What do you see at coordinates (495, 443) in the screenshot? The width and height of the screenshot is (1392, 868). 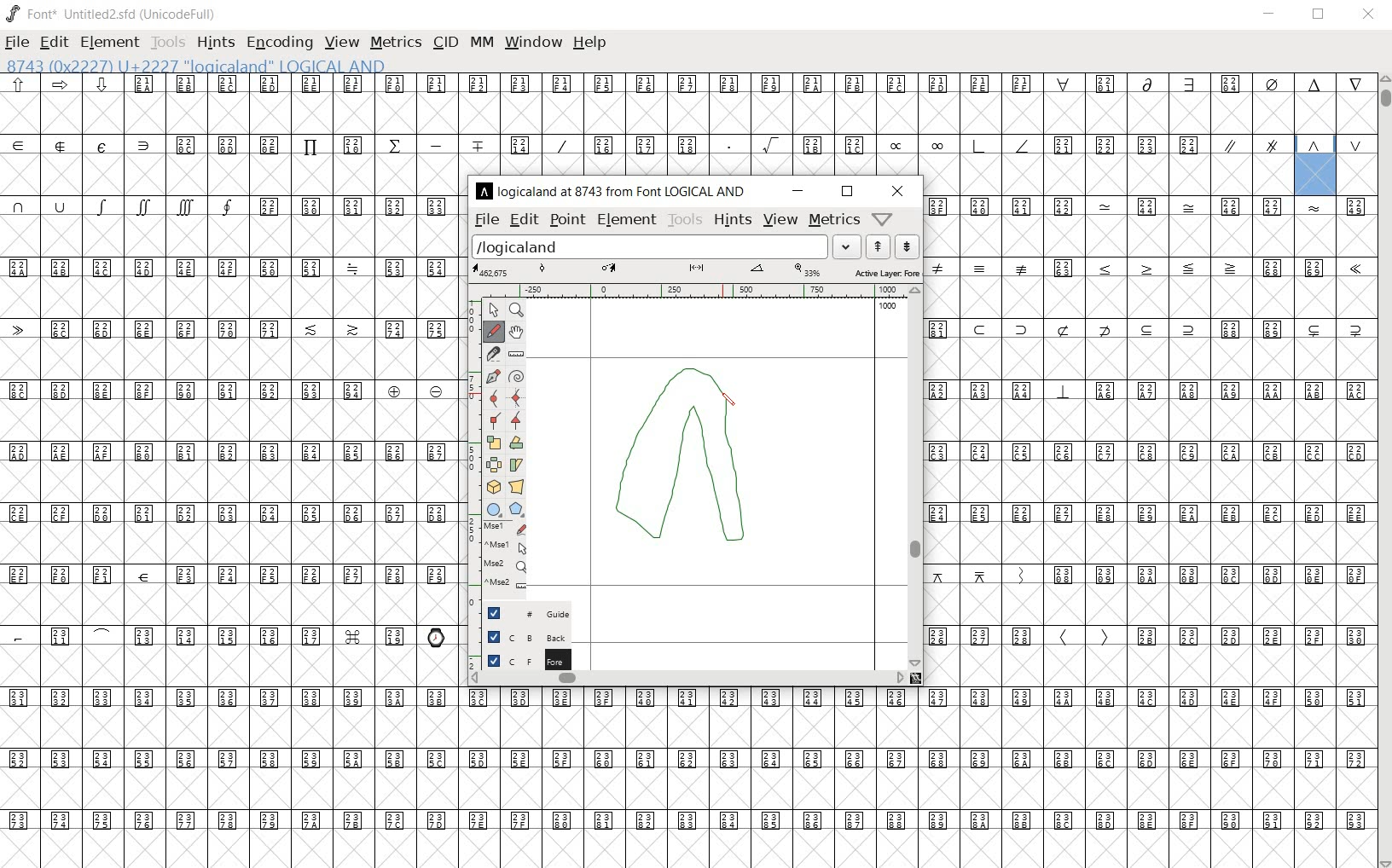 I see `scale the selection` at bounding box center [495, 443].